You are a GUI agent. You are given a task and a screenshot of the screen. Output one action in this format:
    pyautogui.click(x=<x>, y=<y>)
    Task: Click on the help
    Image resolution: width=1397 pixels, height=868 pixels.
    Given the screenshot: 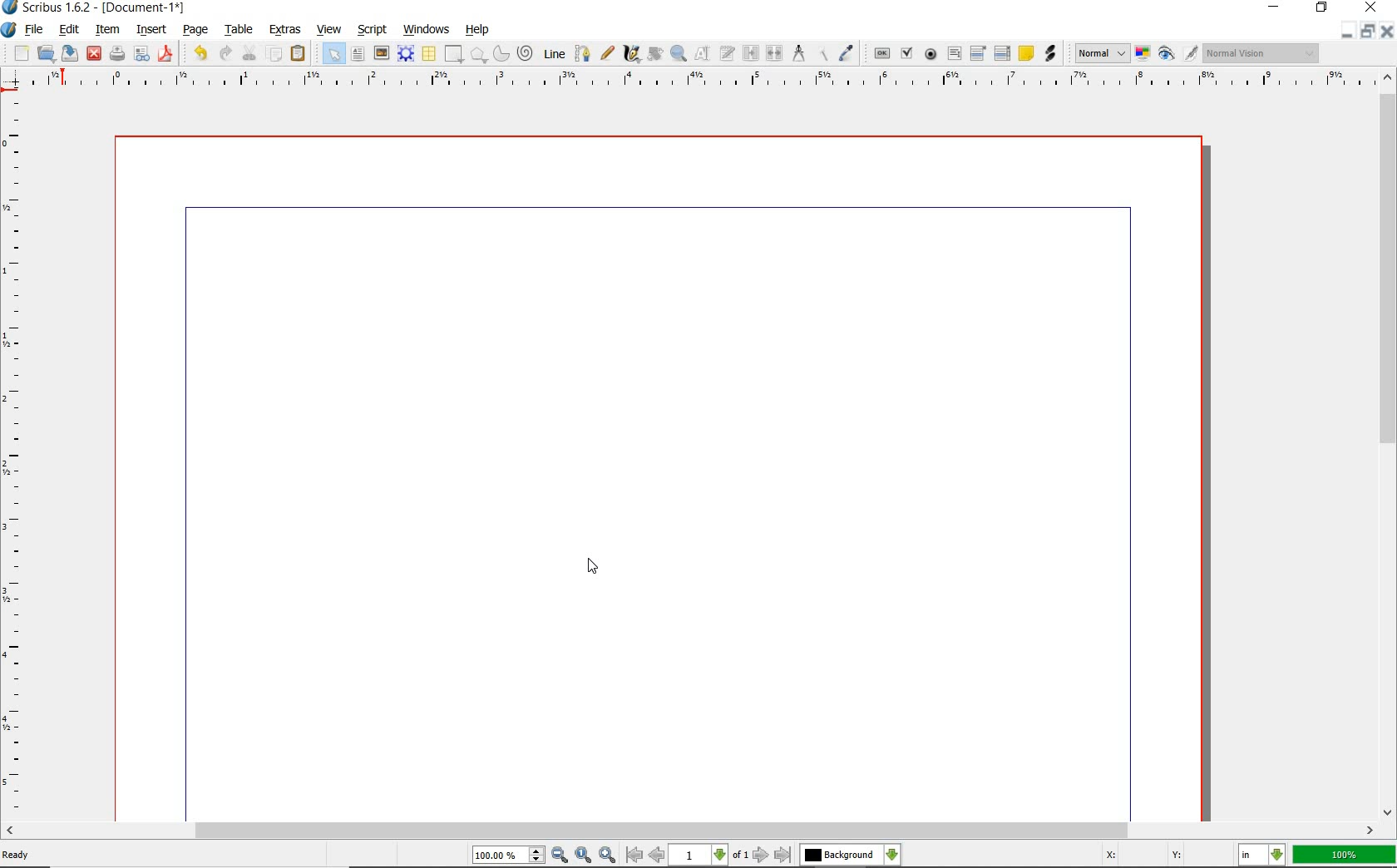 What is the action you would take?
    pyautogui.click(x=479, y=29)
    